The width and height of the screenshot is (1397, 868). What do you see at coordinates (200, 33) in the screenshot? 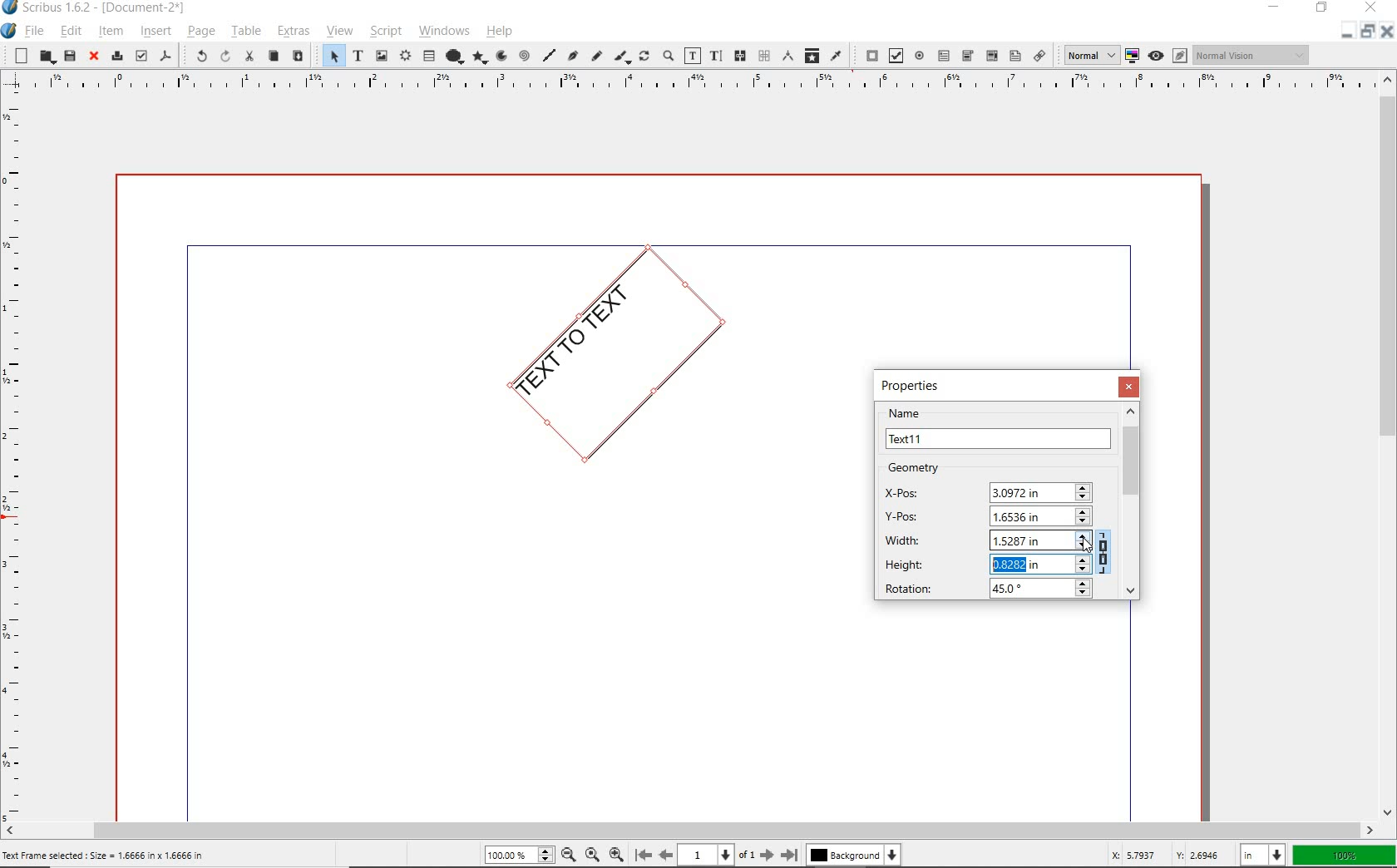
I see `page` at bounding box center [200, 33].